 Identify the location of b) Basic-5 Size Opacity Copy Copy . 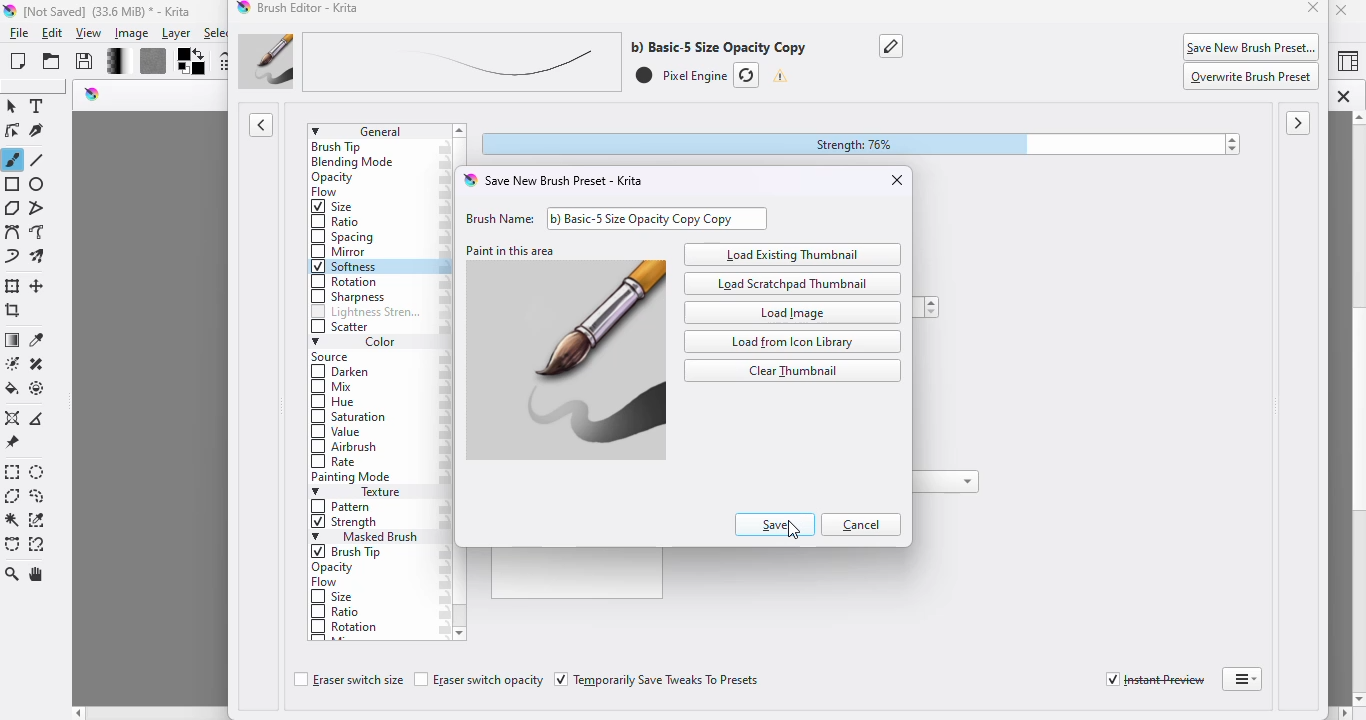
(668, 218).